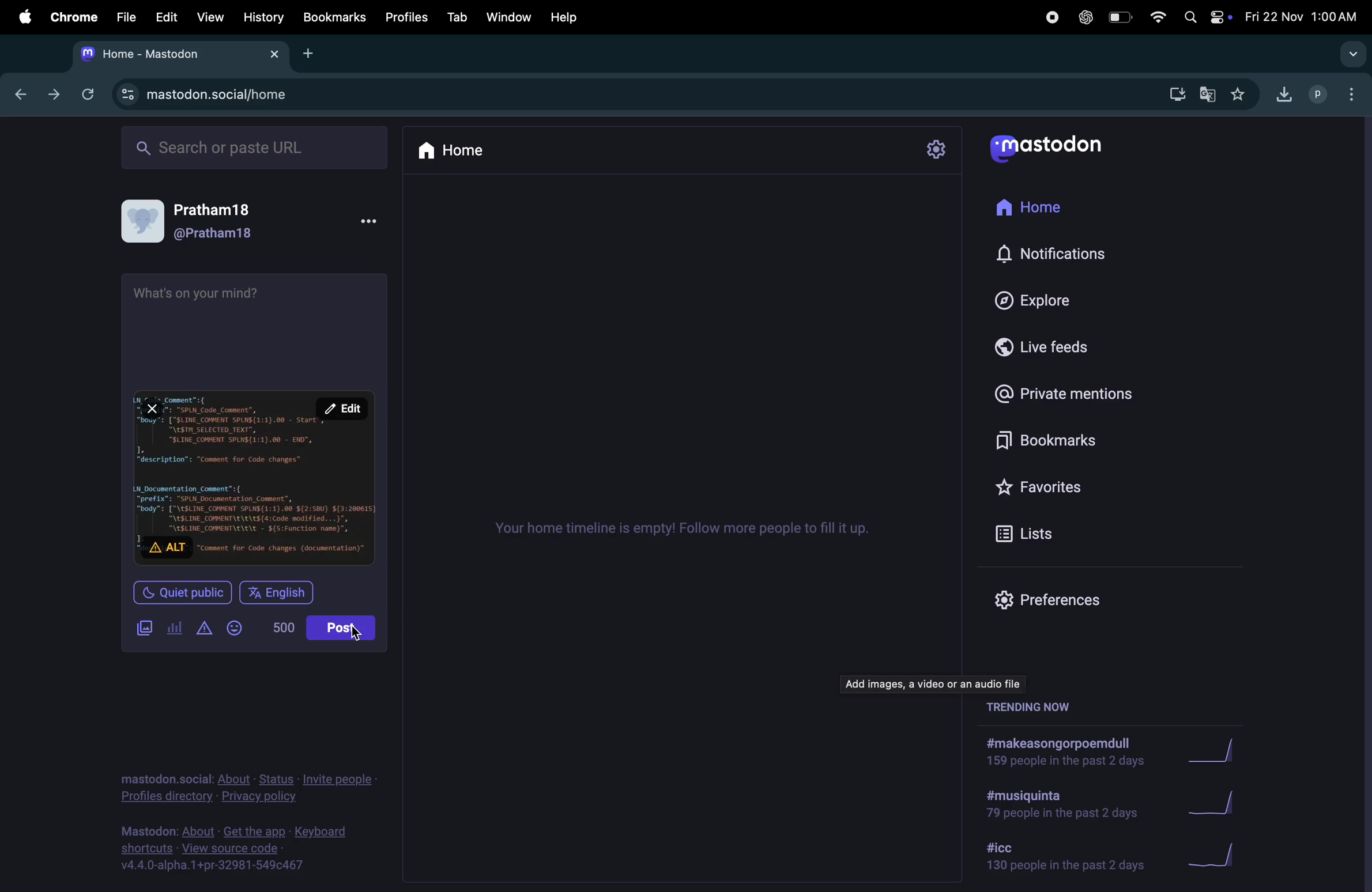  I want to click on cursor, so click(356, 634).